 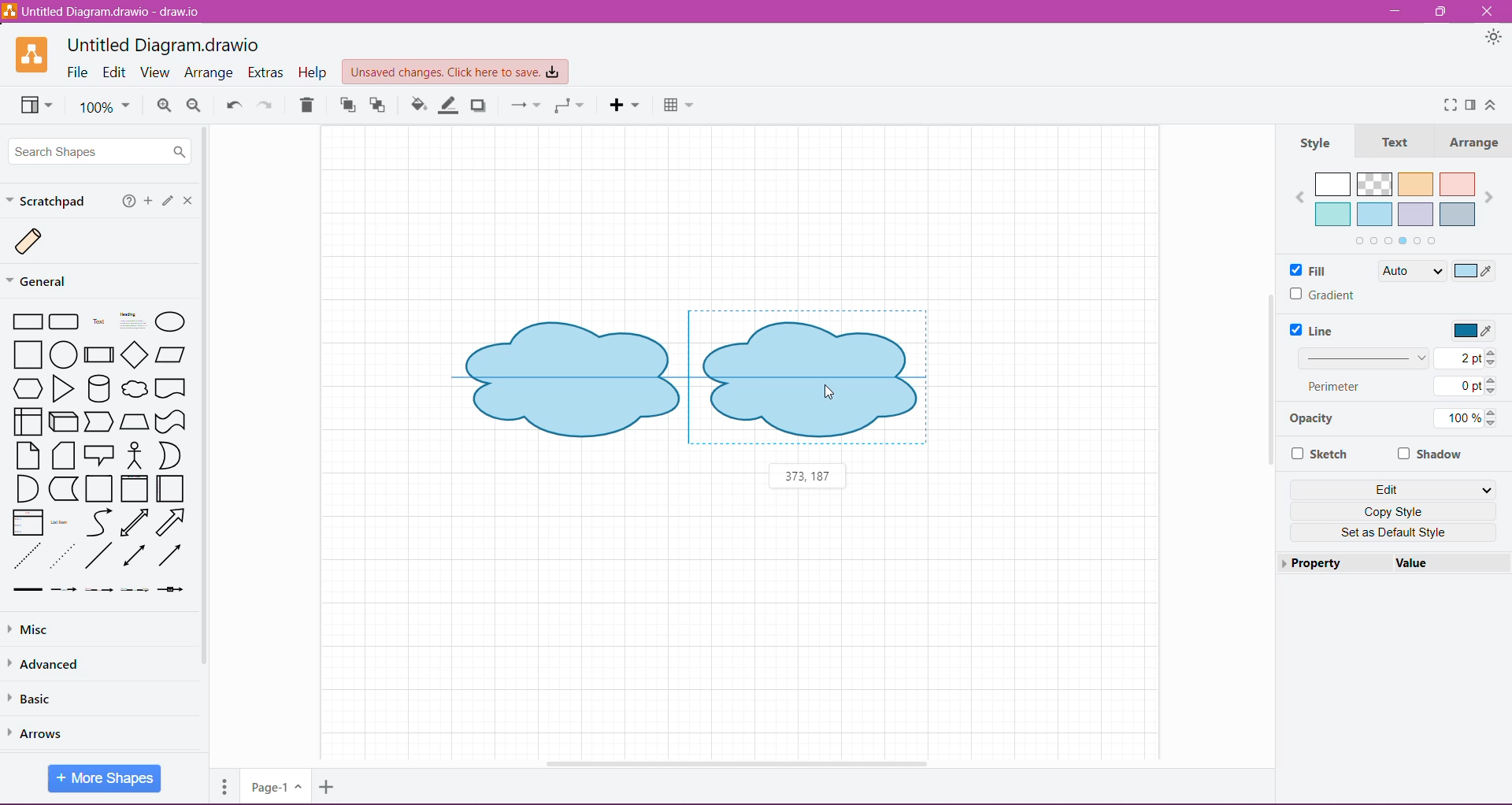 What do you see at coordinates (154, 72) in the screenshot?
I see `View` at bounding box center [154, 72].